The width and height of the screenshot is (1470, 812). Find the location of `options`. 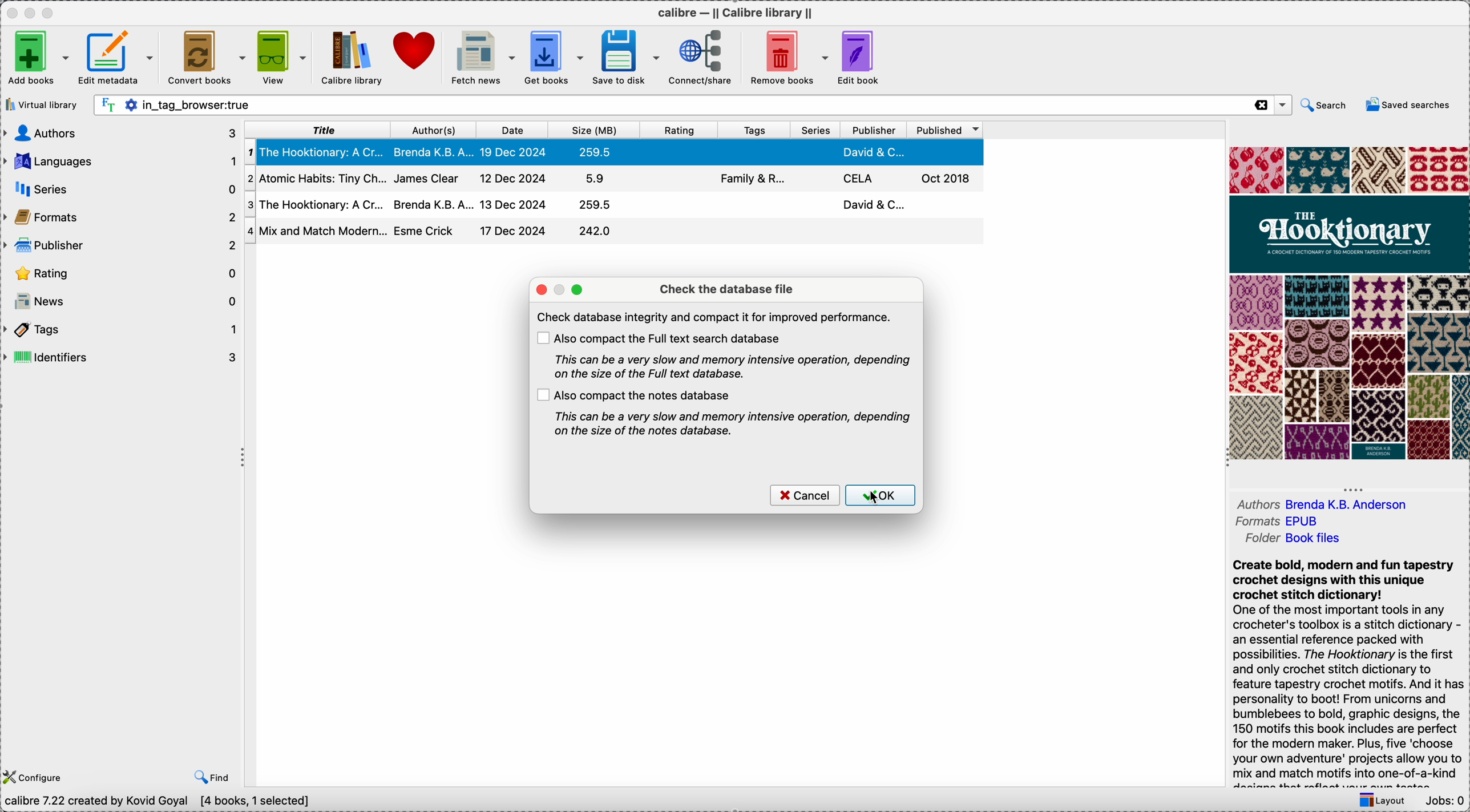

options is located at coordinates (1282, 106).